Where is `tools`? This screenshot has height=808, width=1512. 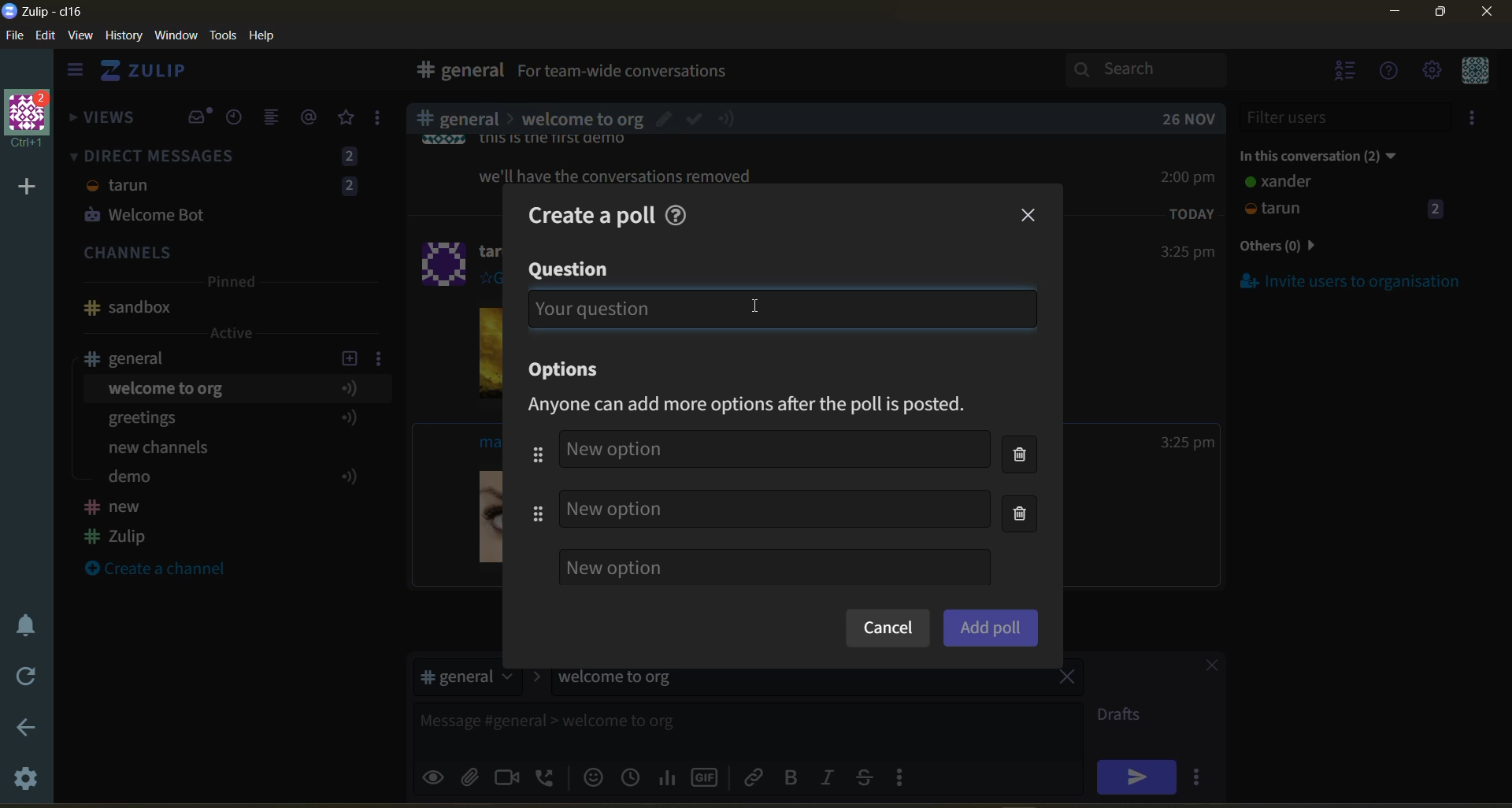
tools is located at coordinates (226, 34).